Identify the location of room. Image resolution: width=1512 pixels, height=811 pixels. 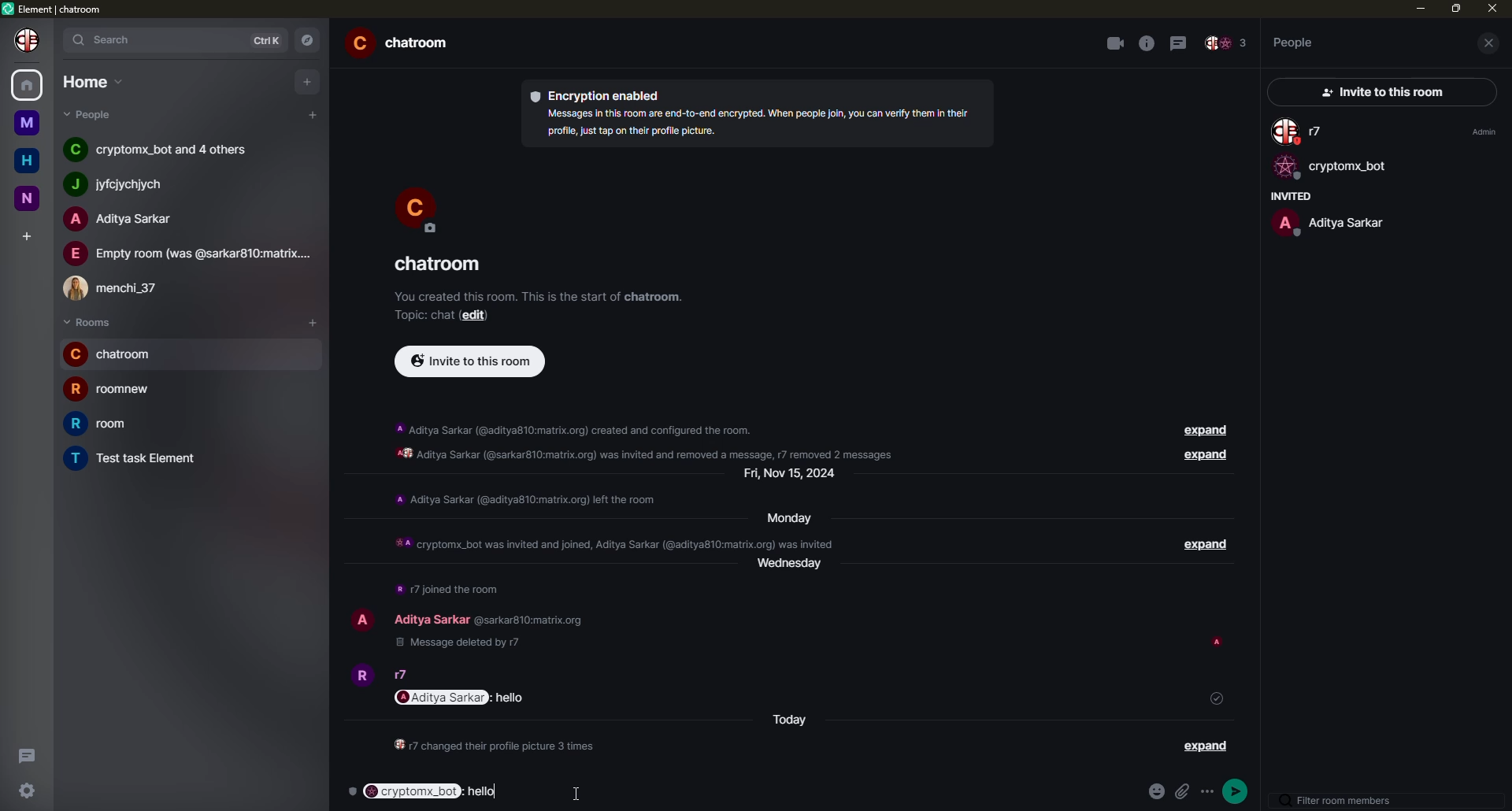
(437, 265).